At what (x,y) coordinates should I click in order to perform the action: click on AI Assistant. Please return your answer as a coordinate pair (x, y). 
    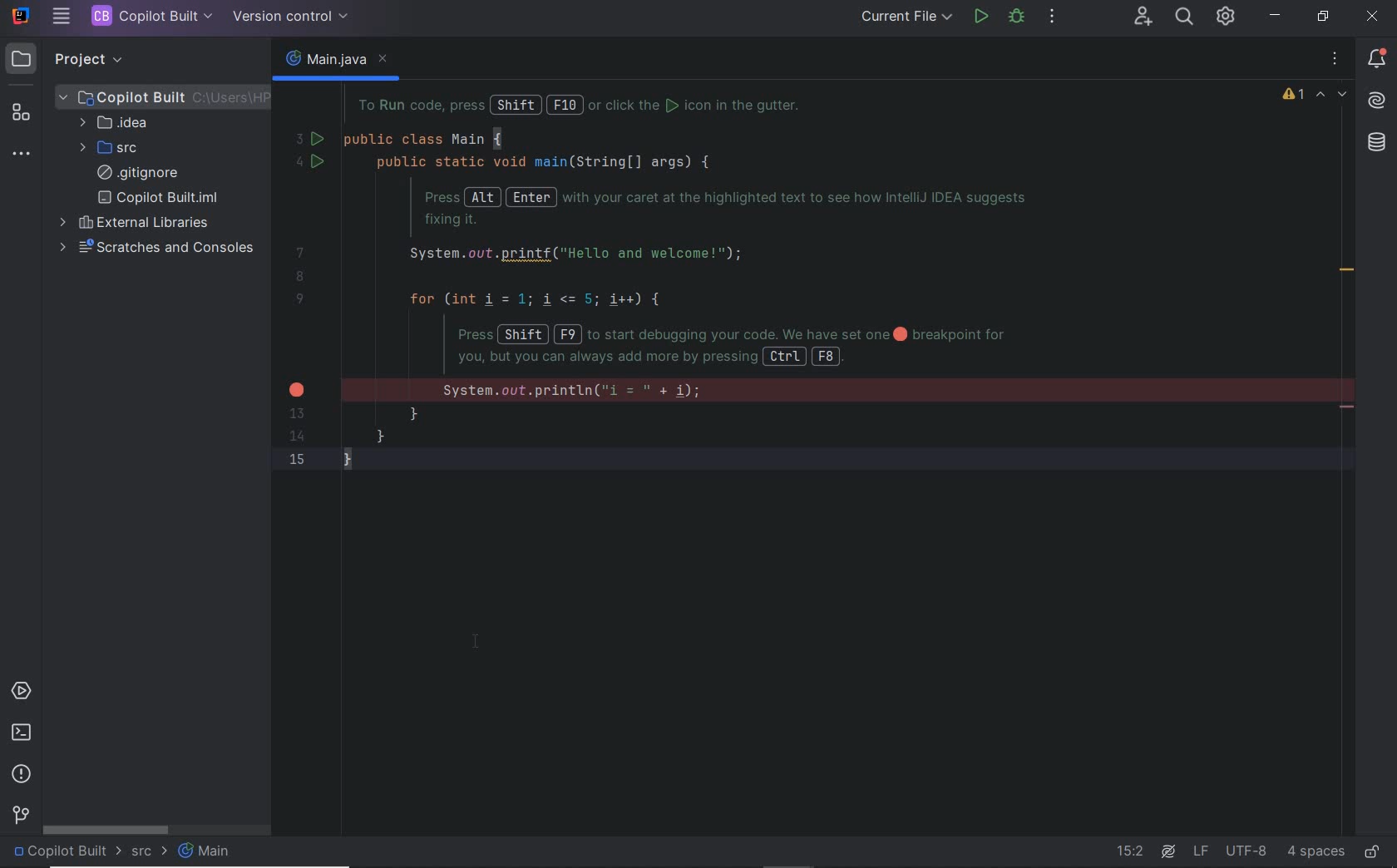
    Looking at the image, I should click on (1375, 101).